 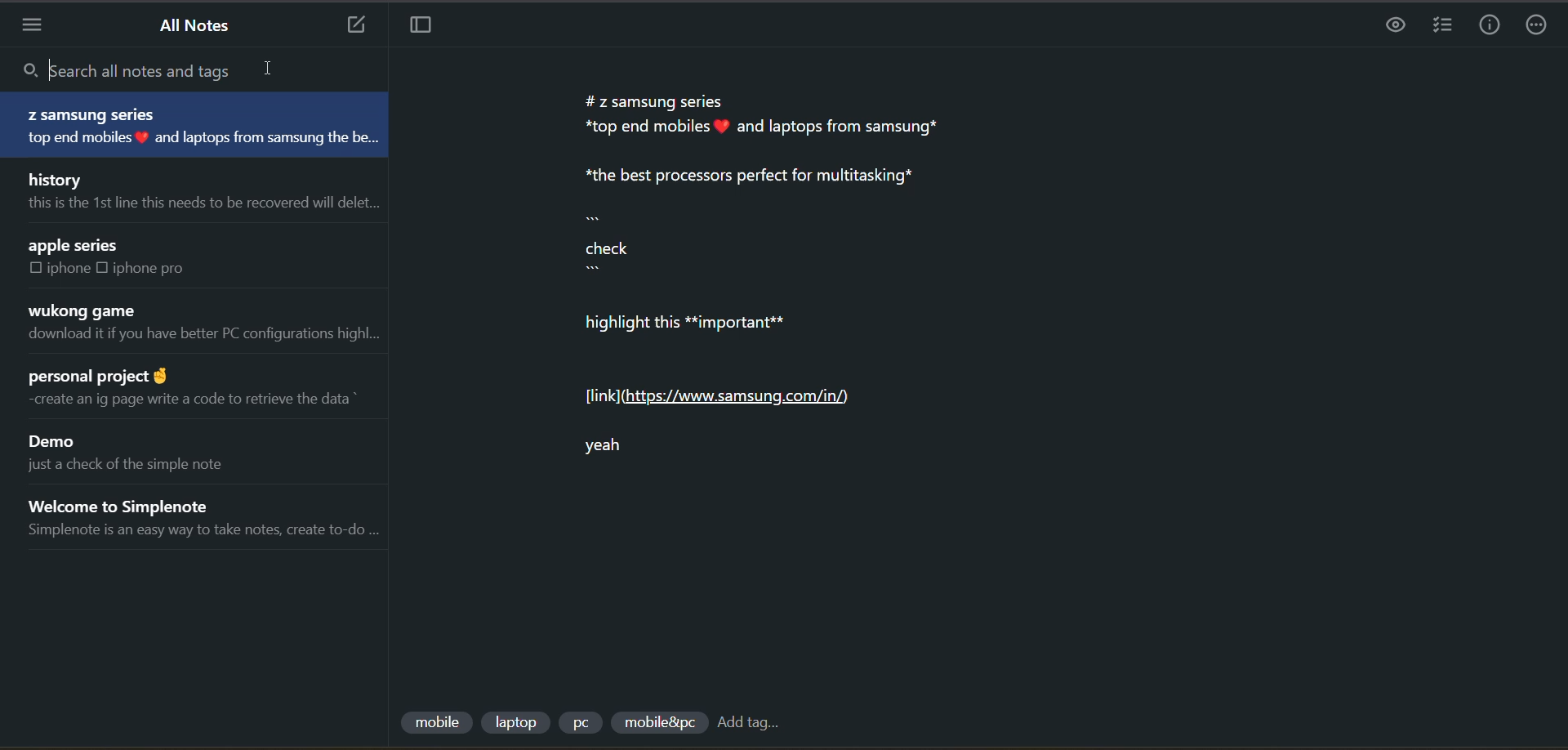 I want to click on  iphone, so click(x=67, y=268).